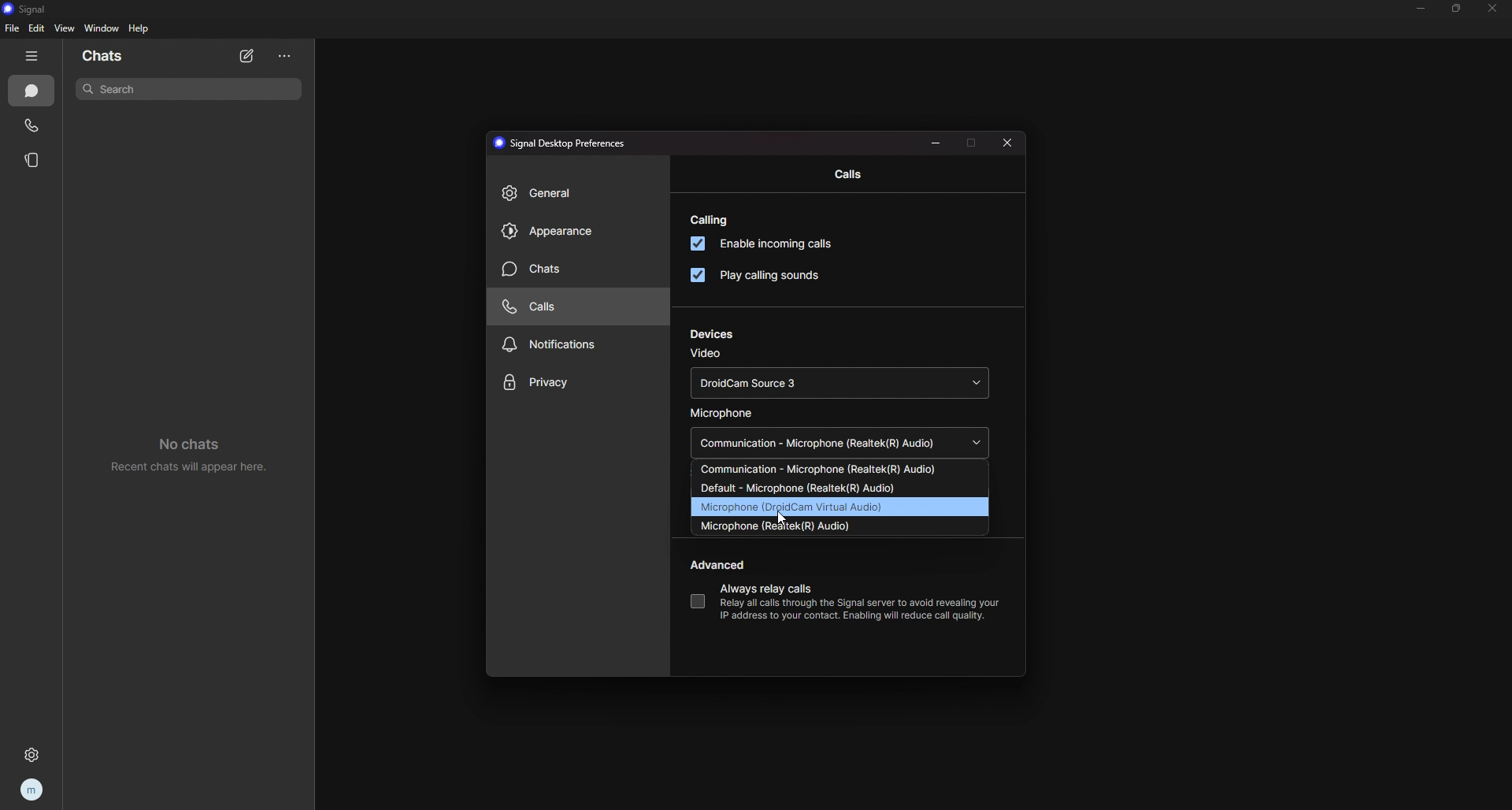 The image size is (1512, 810). I want to click on search, so click(190, 89).